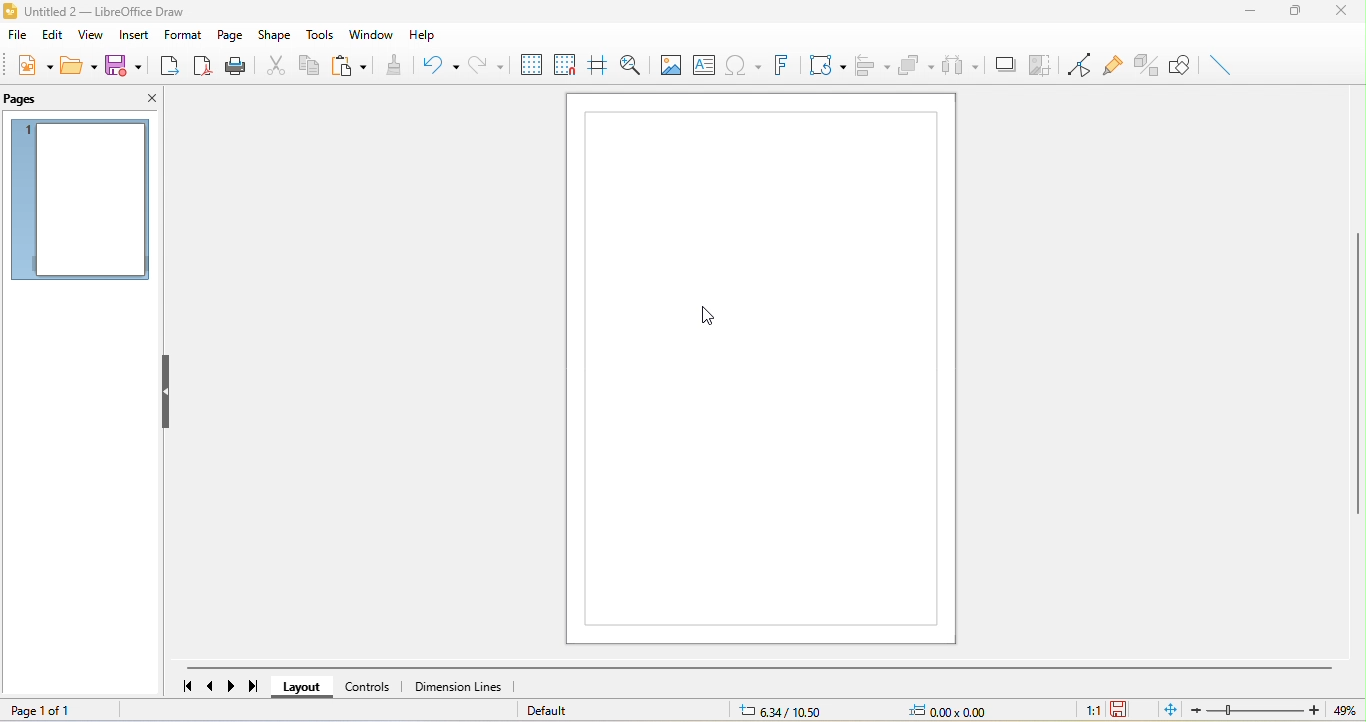 This screenshot has height=722, width=1366. I want to click on tools, so click(319, 35).